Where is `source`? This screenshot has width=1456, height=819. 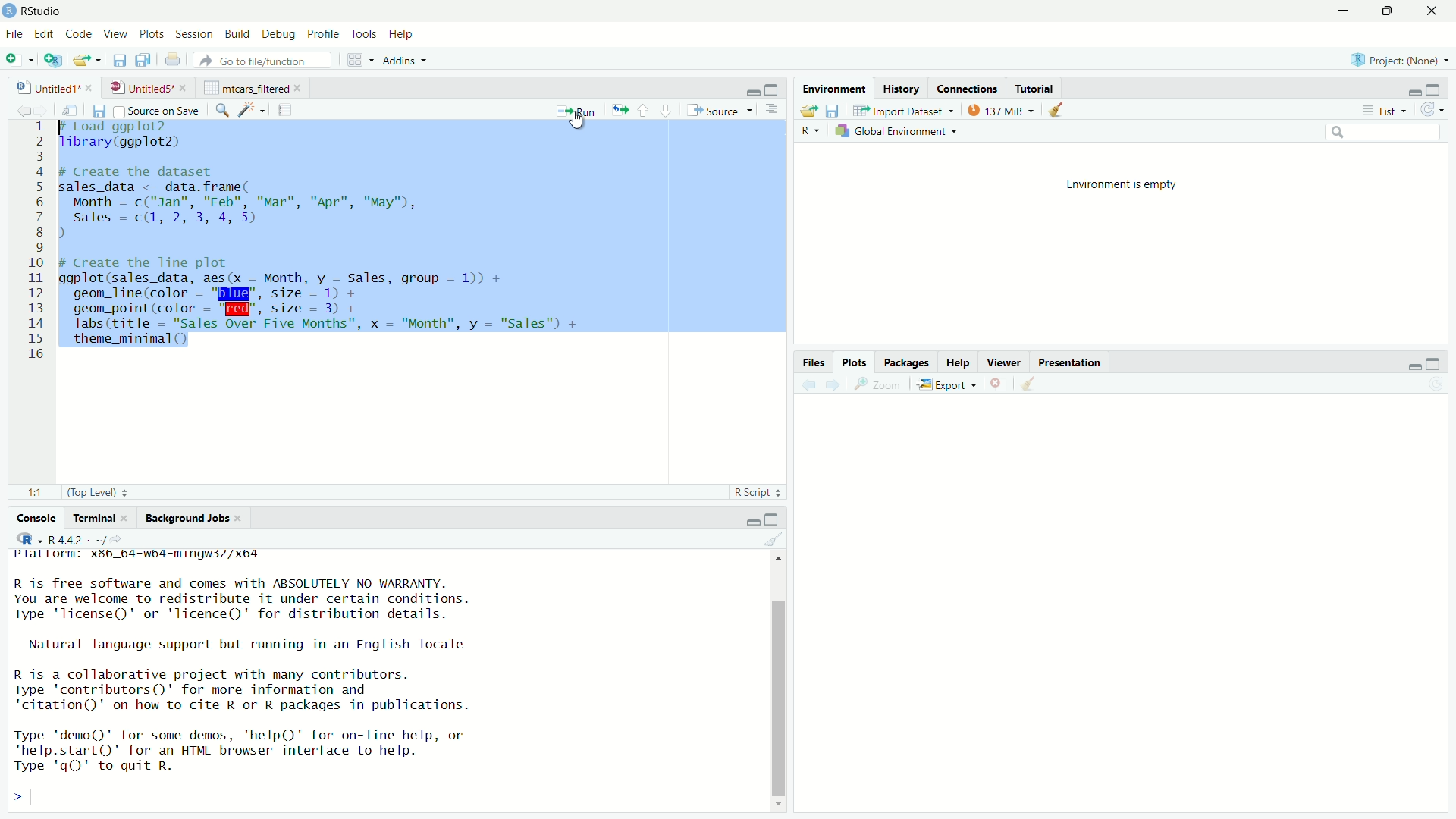
source is located at coordinates (718, 111).